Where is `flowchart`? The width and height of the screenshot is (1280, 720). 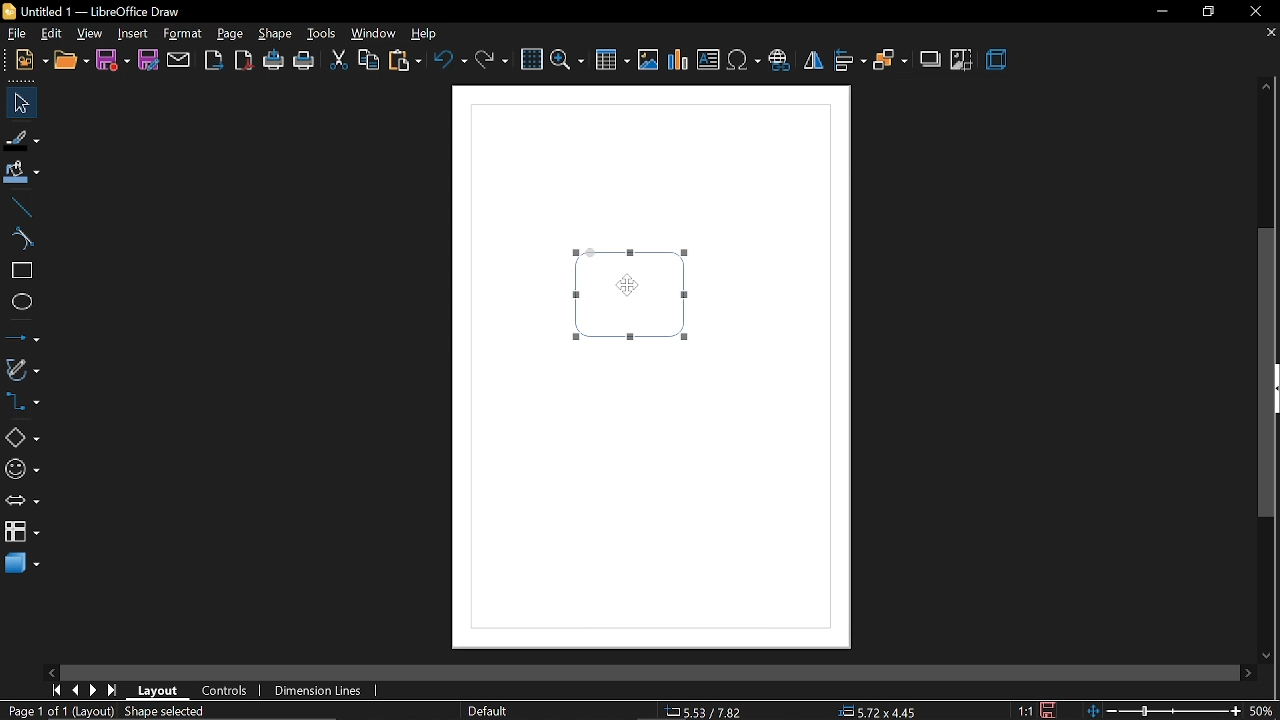 flowchart is located at coordinates (19, 531).